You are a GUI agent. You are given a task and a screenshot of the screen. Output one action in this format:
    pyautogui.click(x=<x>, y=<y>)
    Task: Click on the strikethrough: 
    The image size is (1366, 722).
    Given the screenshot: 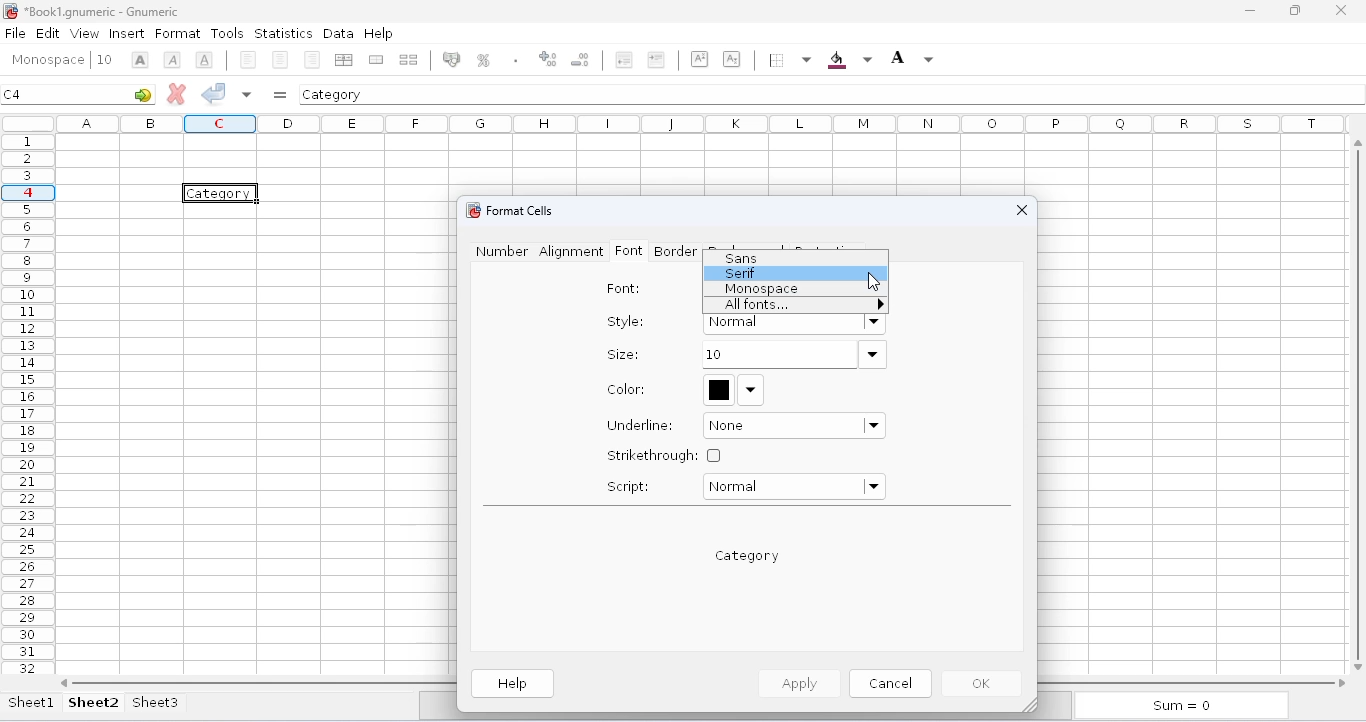 What is the action you would take?
    pyautogui.click(x=664, y=455)
    